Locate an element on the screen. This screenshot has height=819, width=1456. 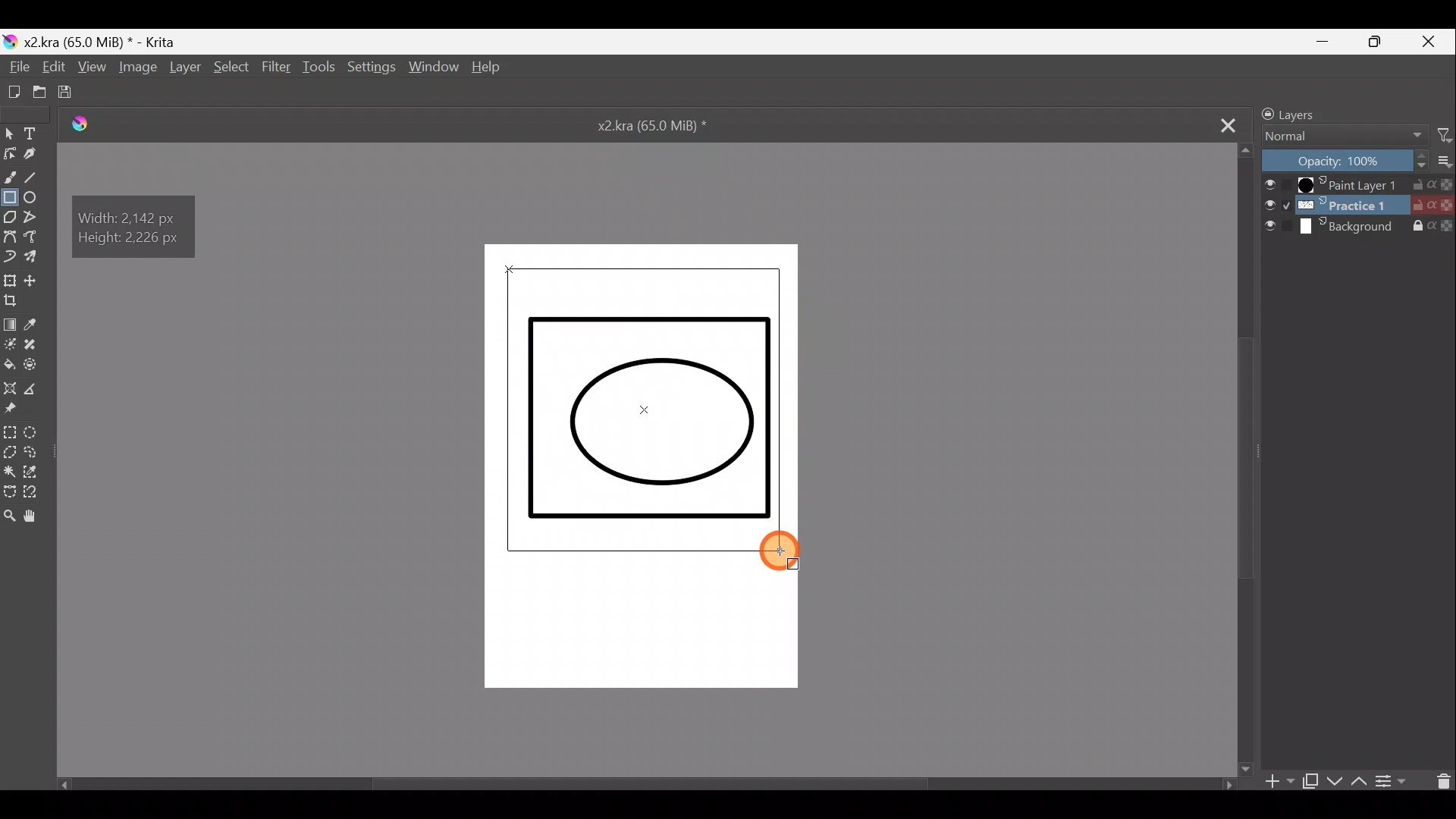
Normal Blending mode is located at coordinates (1341, 136).